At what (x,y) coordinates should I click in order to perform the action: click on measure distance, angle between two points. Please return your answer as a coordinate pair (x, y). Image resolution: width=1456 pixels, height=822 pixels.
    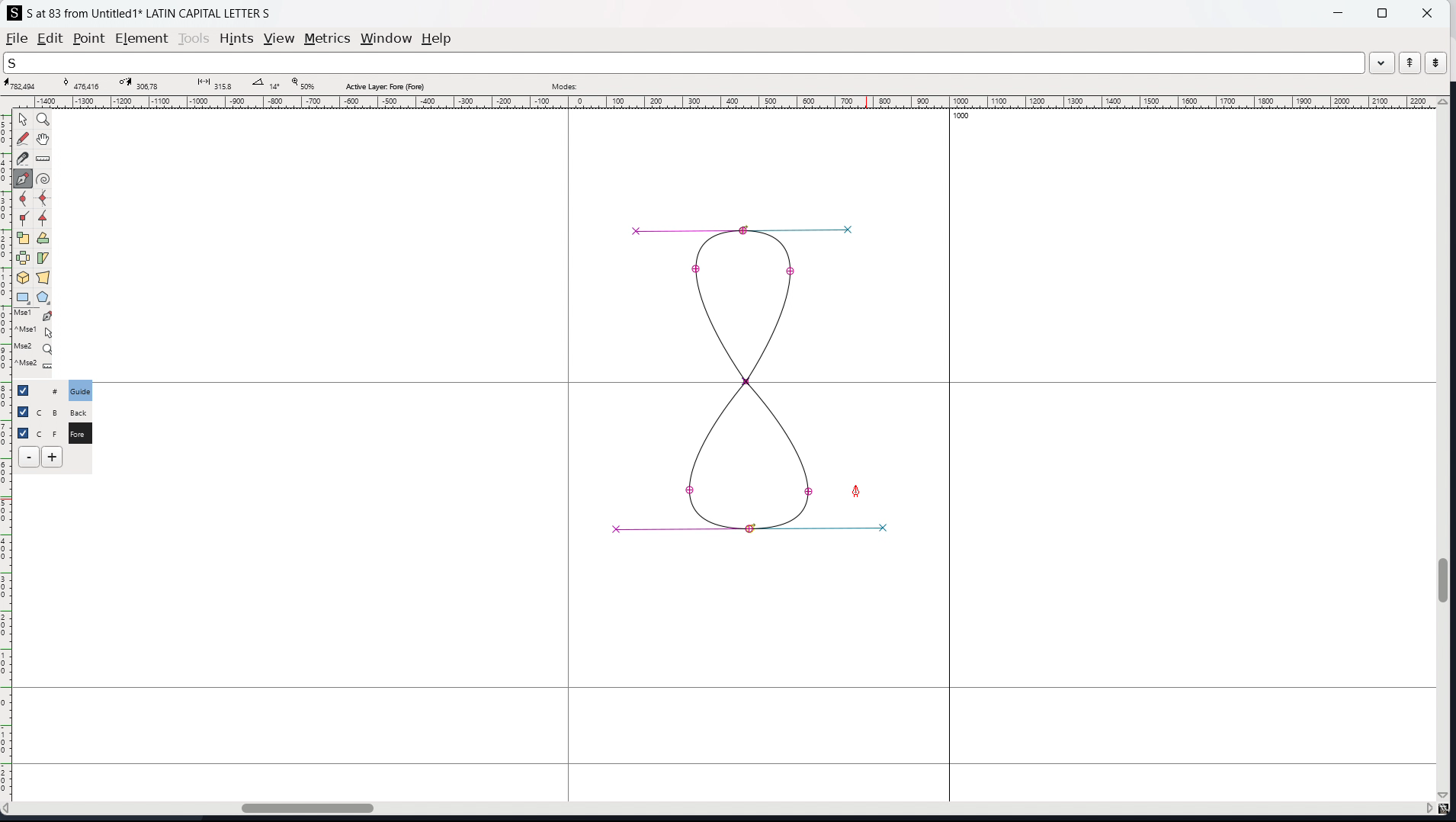
    Looking at the image, I should click on (43, 159).